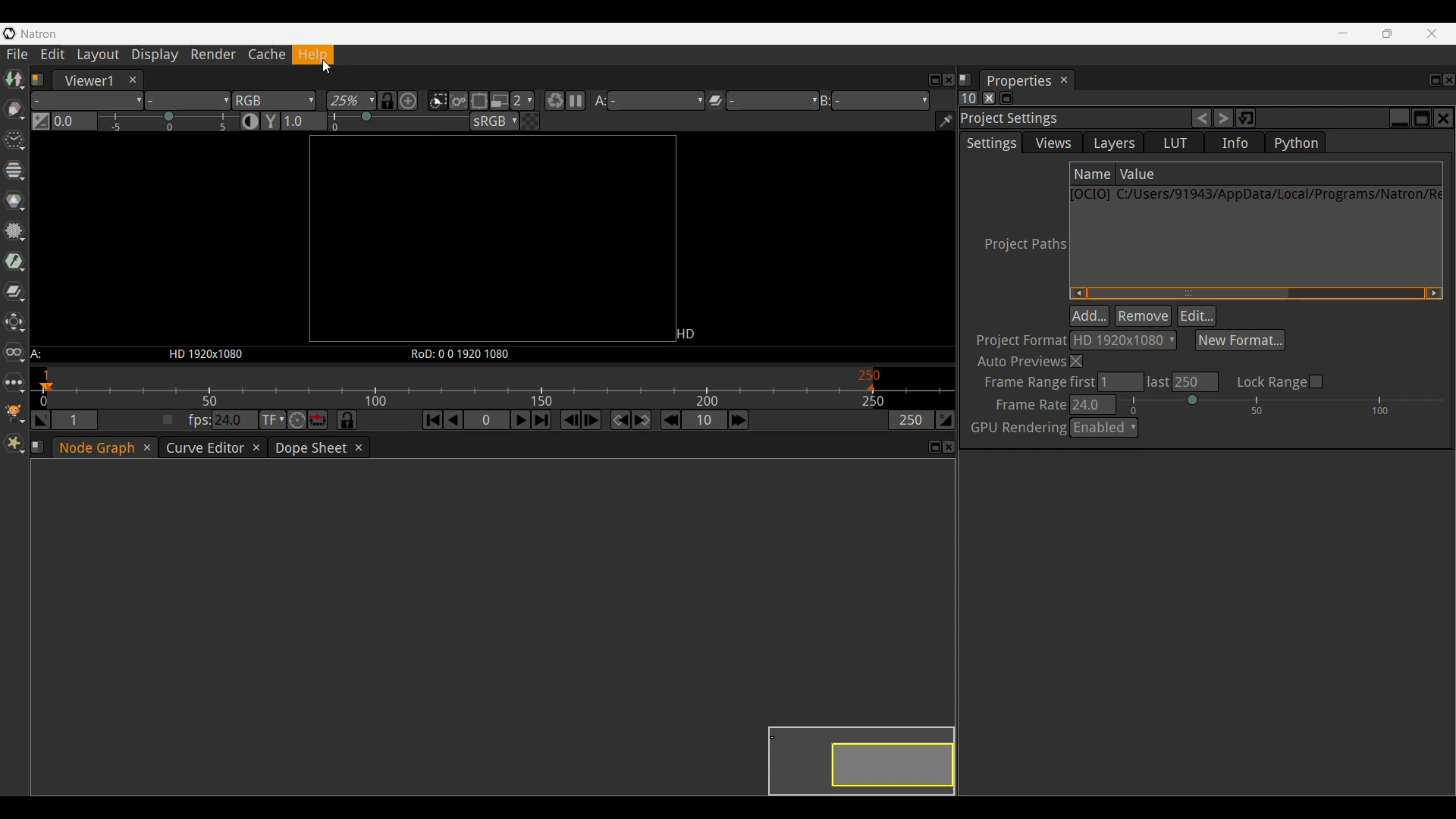 The width and height of the screenshot is (1456, 819). I want to click on Project Format: , so click(1022, 338).